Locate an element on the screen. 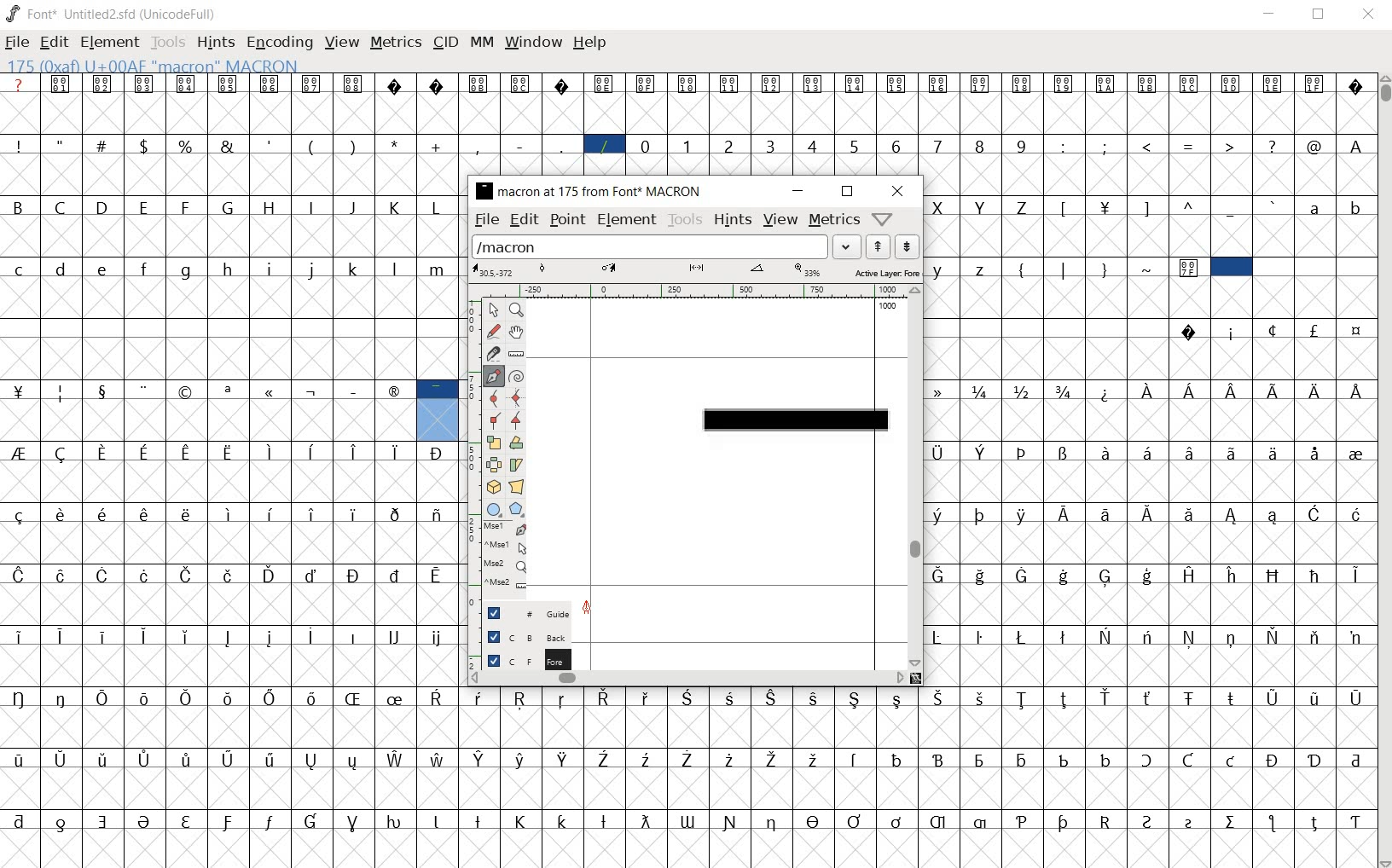 This screenshot has height=868, width=1392. Symbol is located at coordinates (689, 83).